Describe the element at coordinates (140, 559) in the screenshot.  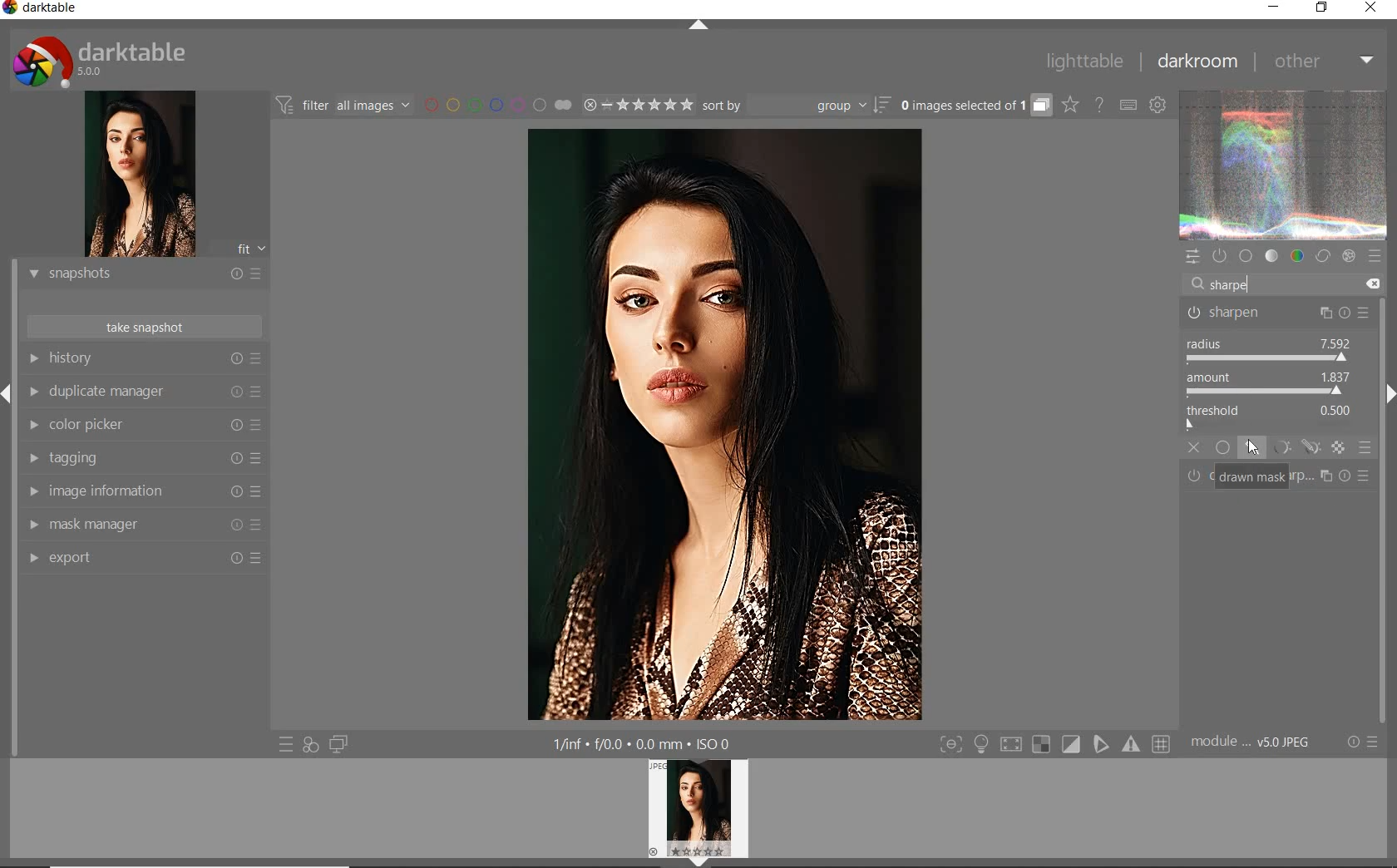
I see `EXPORT` at that location.